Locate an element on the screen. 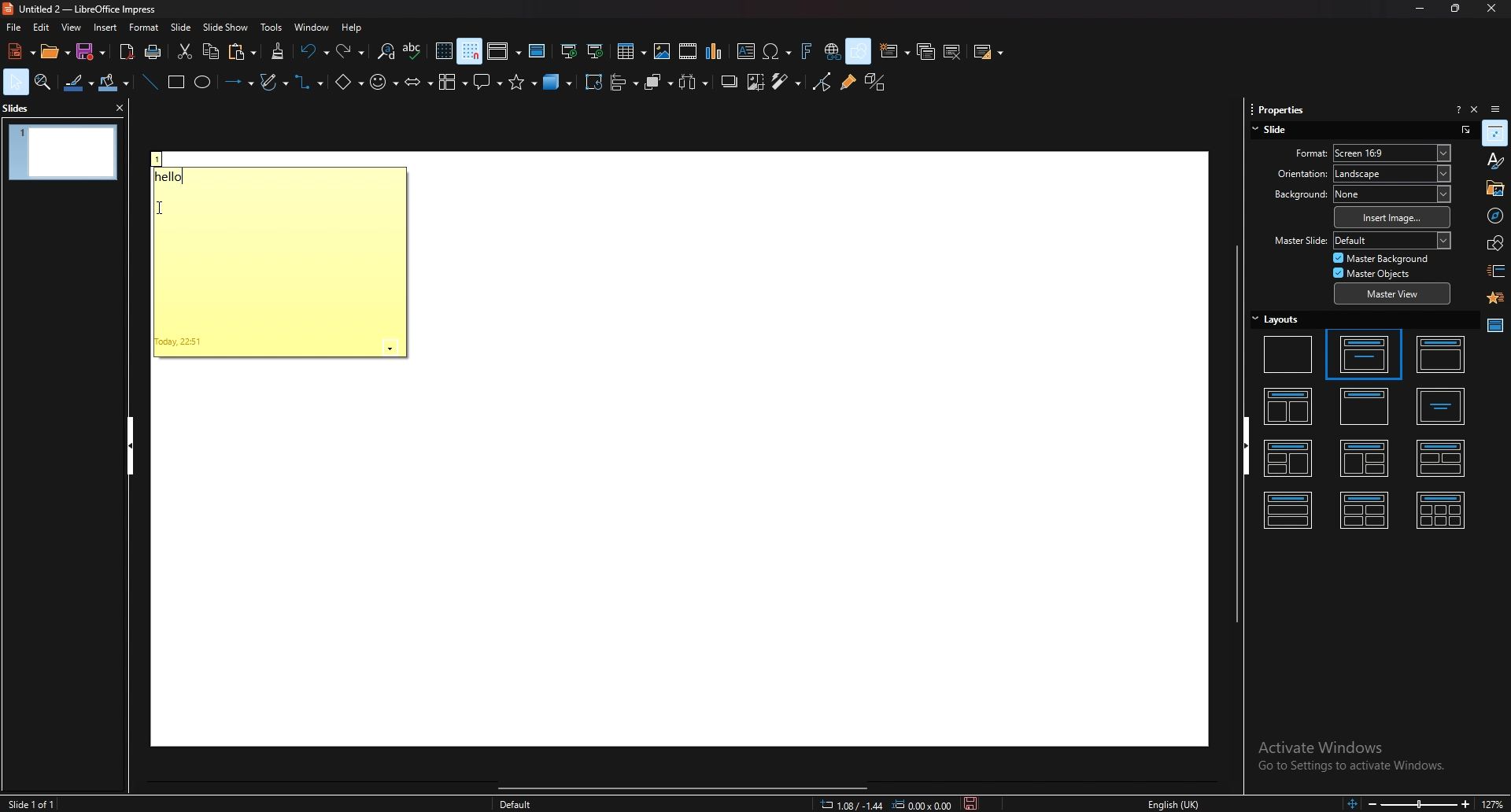 The image size is (1511, 812). paste is located at coordinates (242, 51).